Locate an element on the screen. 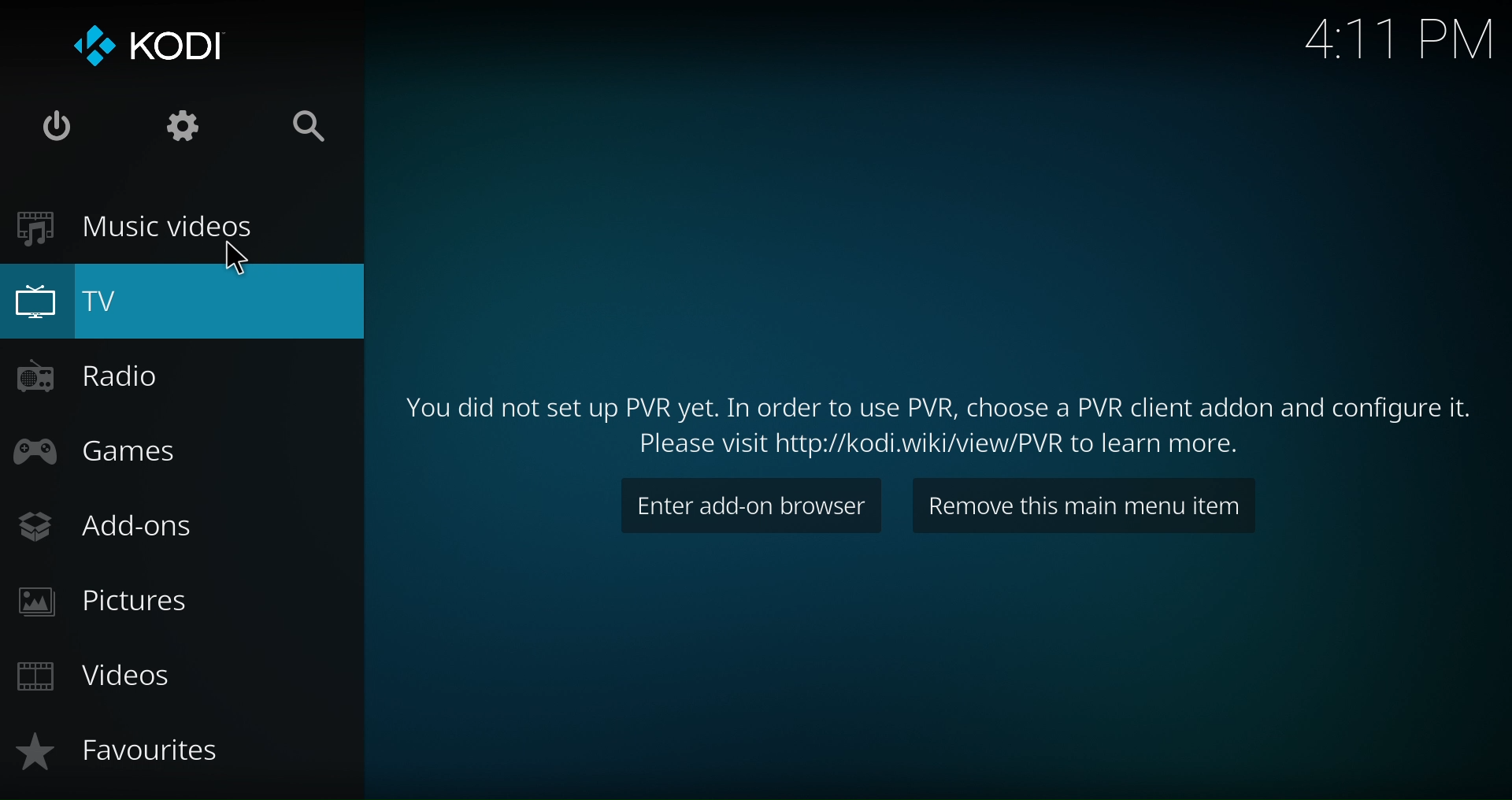 Image resolution: width=1512 pixels, height=800 pixels. Logo is located at coordinates (155, 48).